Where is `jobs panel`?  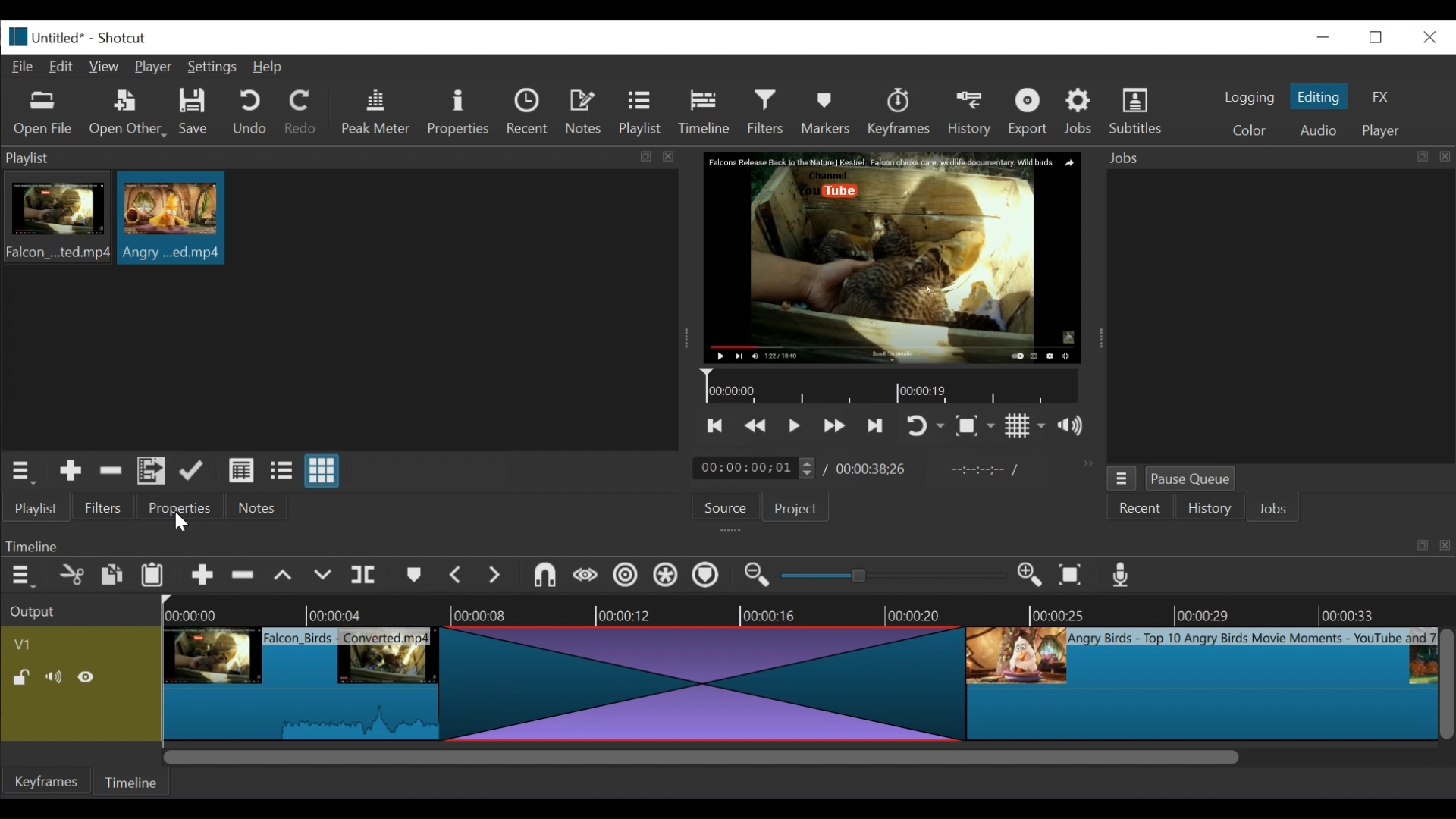
jobs panel is located at coordinates (1280, 315).